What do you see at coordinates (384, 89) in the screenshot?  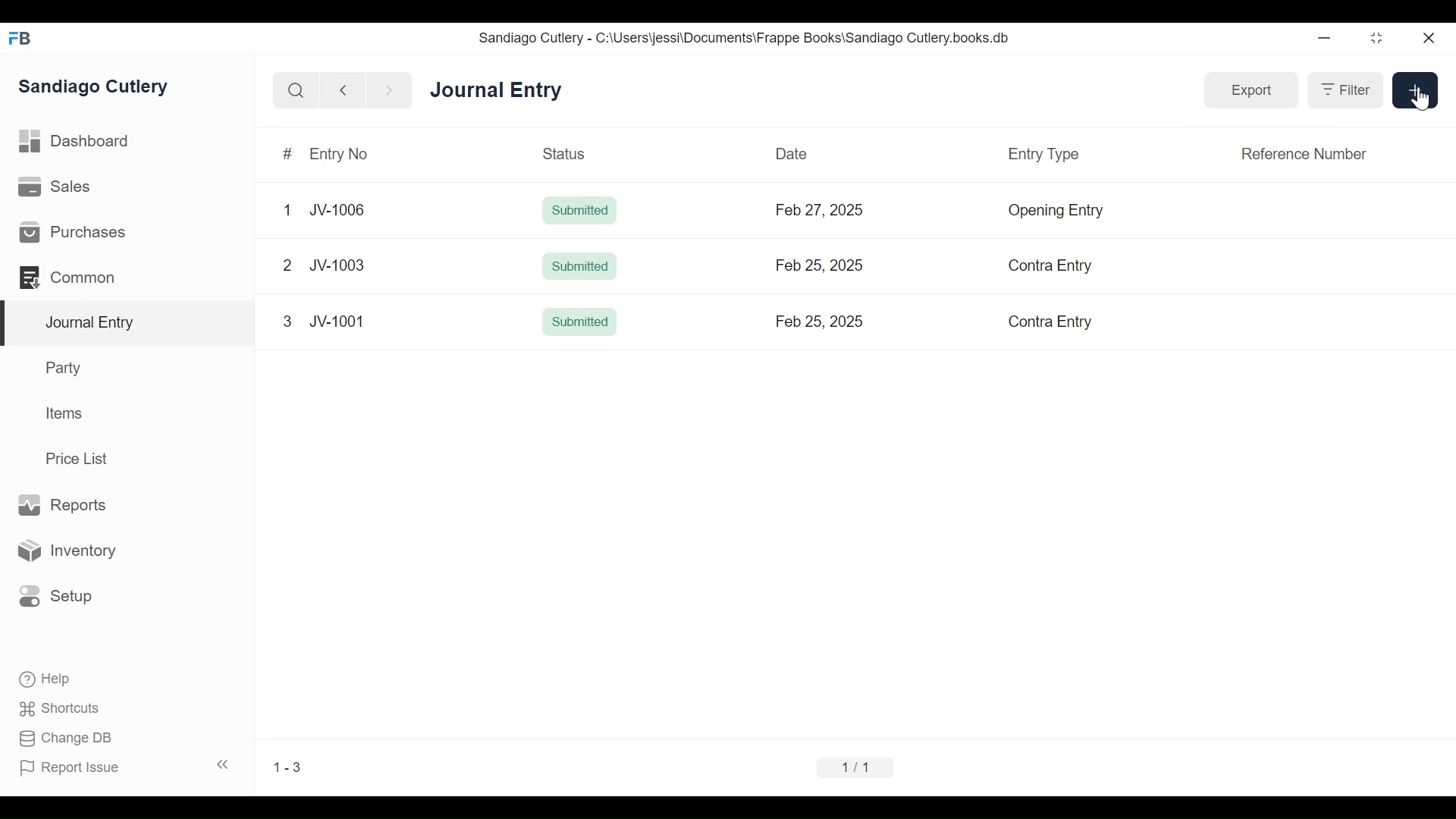 I see `next` at bounding box center [384, 89].